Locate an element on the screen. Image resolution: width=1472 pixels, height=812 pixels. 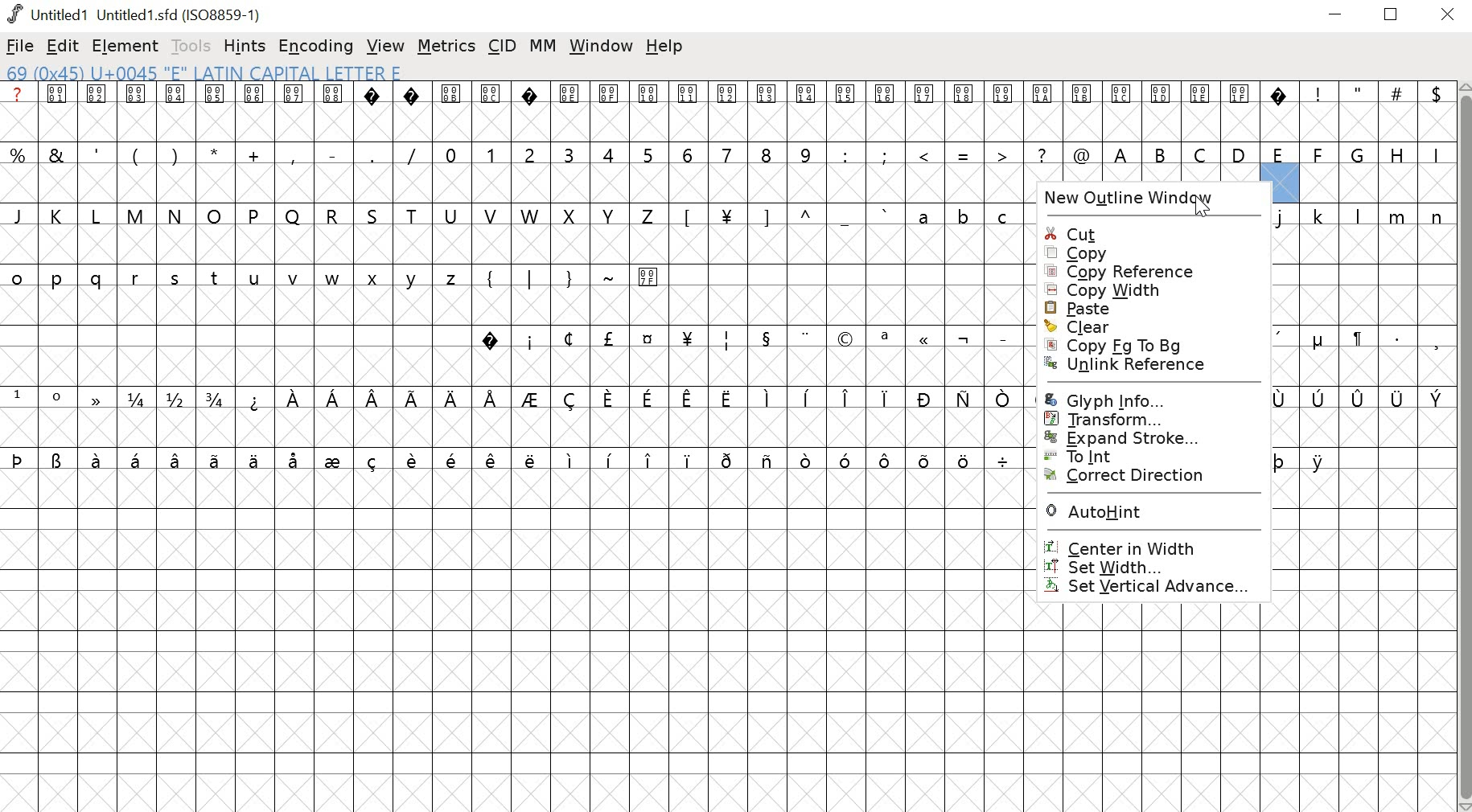
empty cells is located at coordinates (727, 123).